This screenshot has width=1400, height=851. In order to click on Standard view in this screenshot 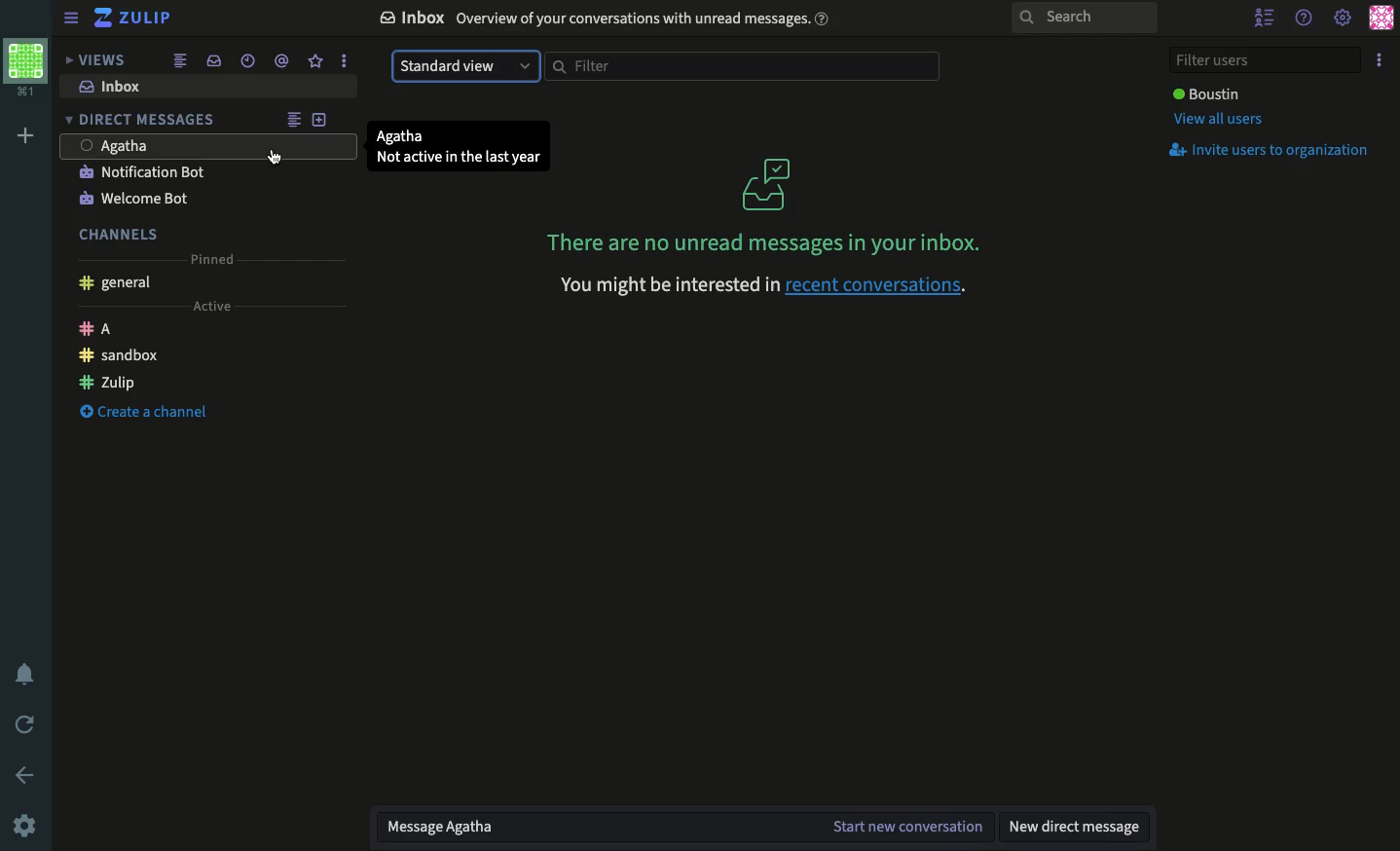, I will do `click(465, 66)`.